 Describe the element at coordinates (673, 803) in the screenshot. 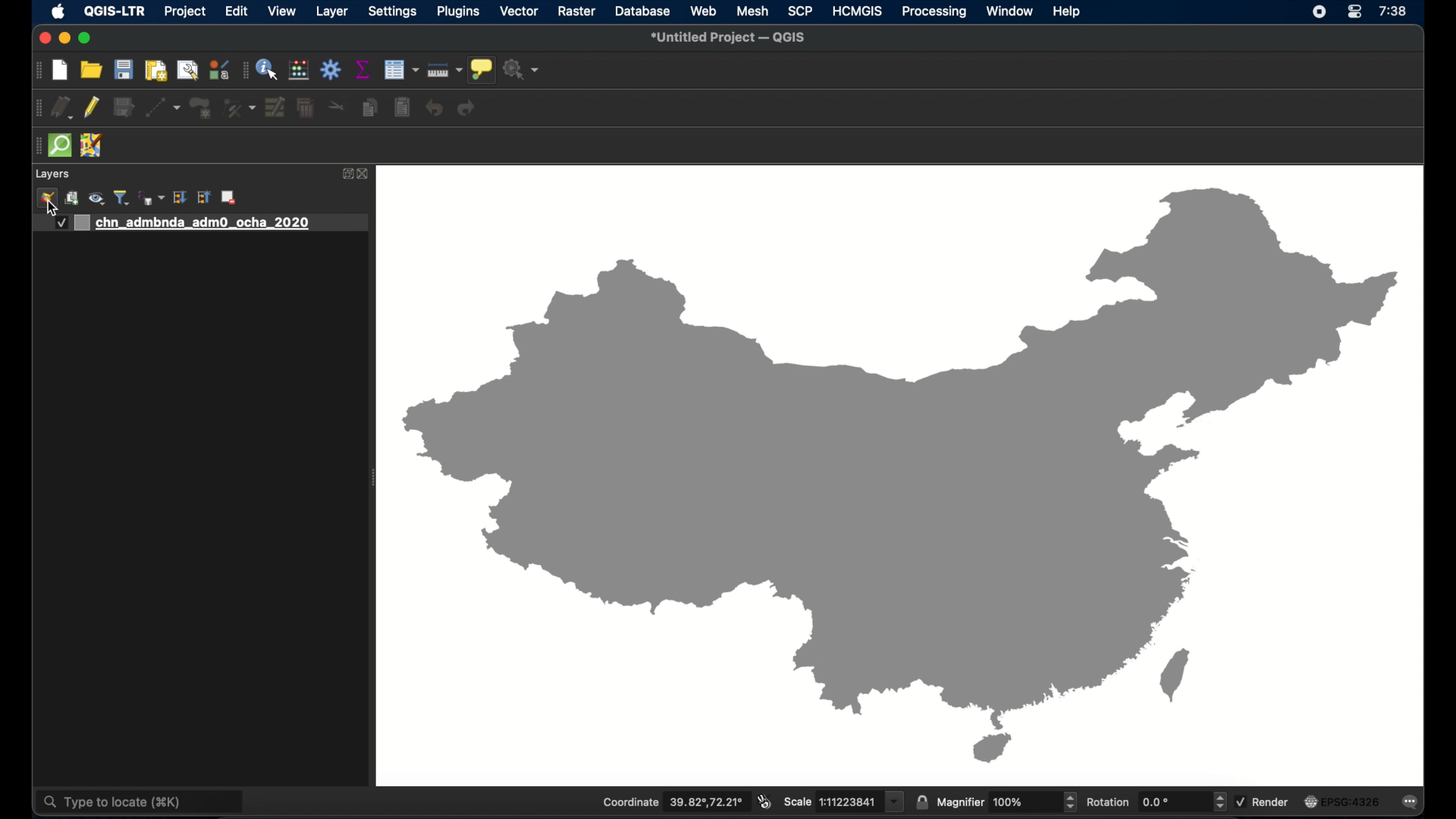

I see `Coordinate  39.82°,72.21°` at that location.